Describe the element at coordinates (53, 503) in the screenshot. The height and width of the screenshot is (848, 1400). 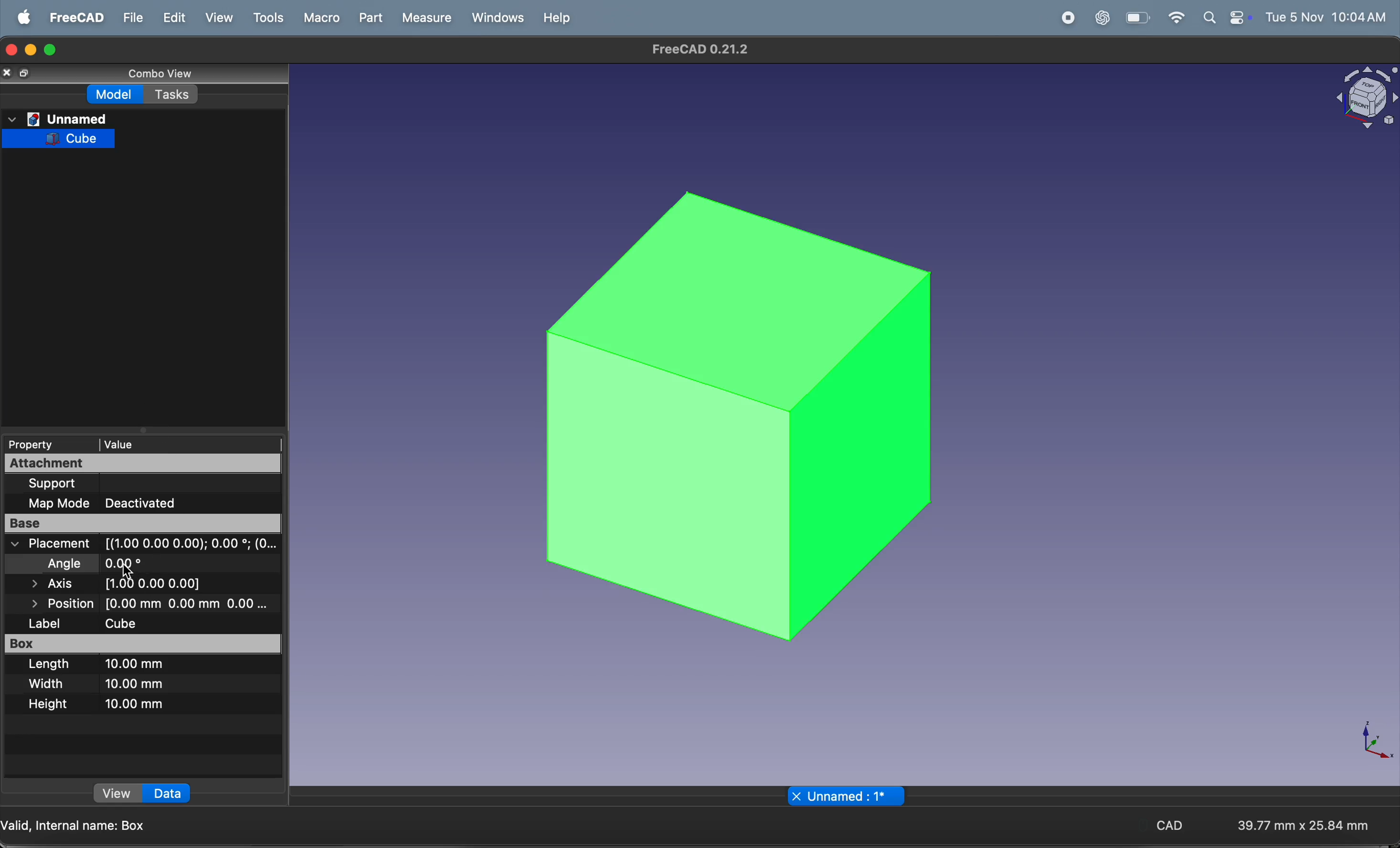
I see `map mode` at that location.